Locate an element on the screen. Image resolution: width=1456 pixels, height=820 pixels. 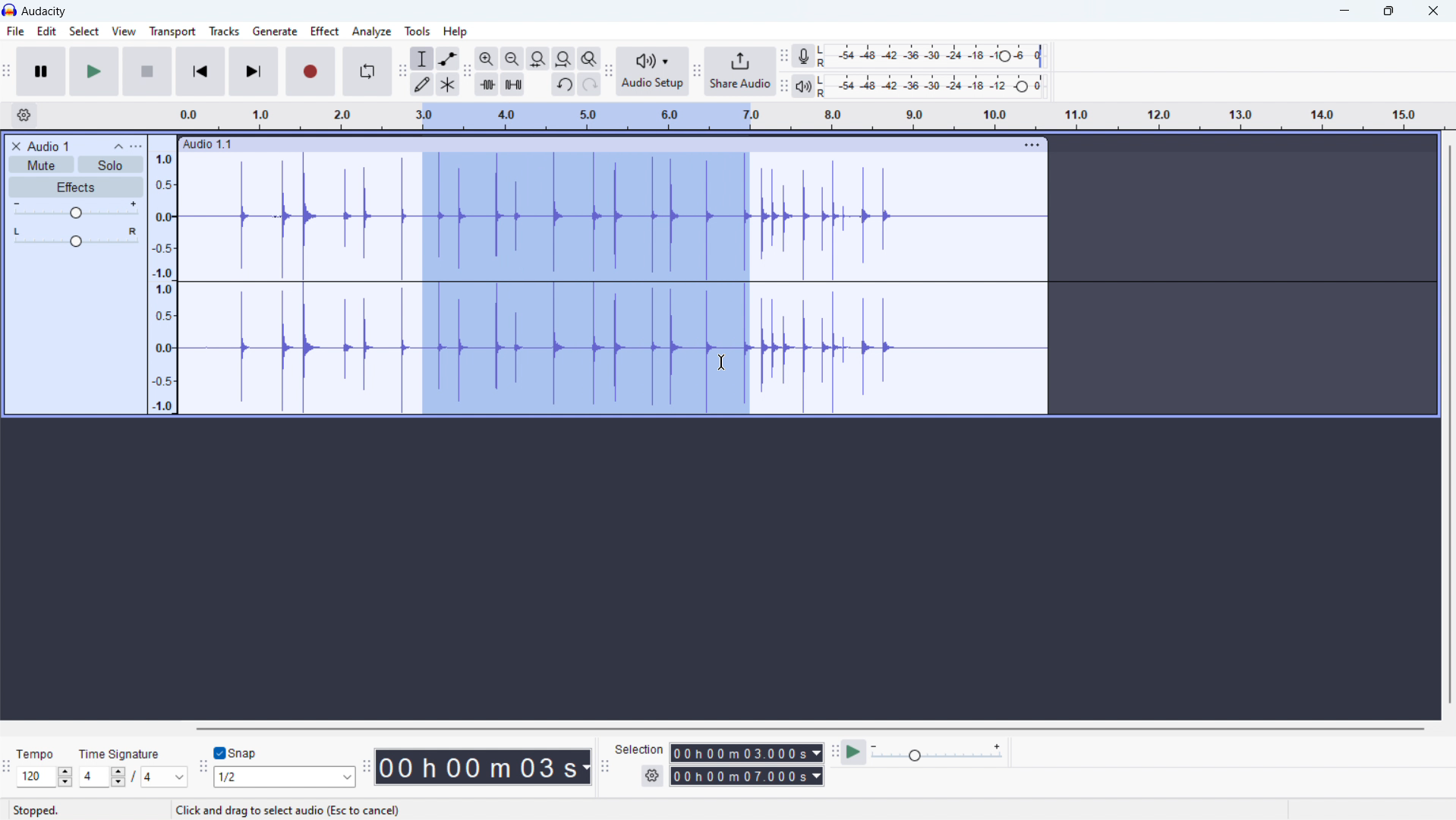
file is located at coordinates (15, 31).